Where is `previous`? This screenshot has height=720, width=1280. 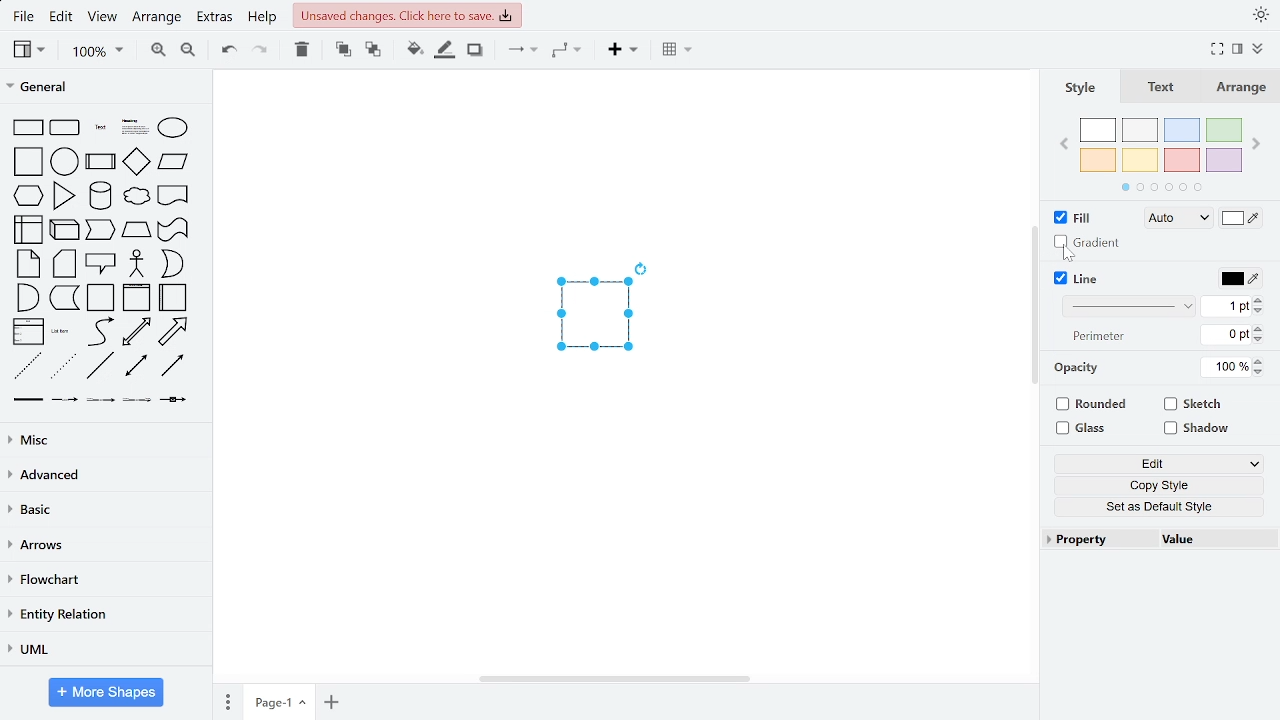 previous is located at coordinates (1062, 146).